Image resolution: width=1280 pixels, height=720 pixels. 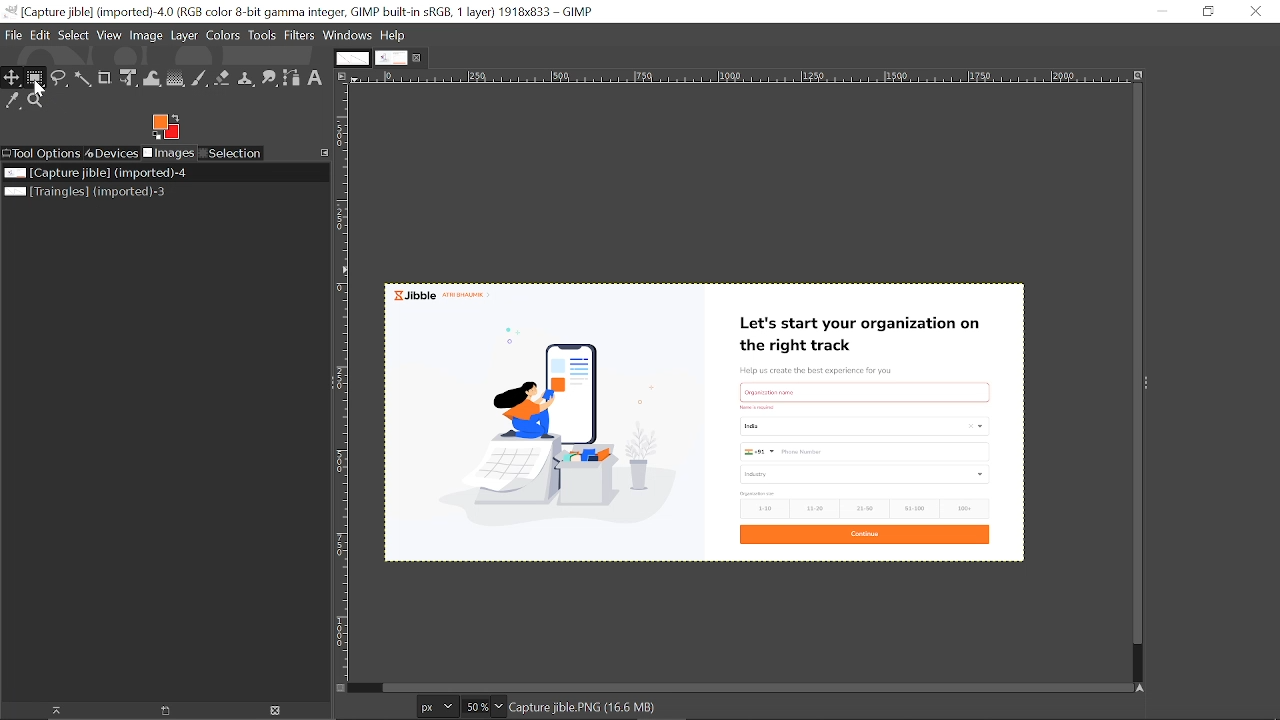 I want to click on Close window, so click(x=1257, y=11).